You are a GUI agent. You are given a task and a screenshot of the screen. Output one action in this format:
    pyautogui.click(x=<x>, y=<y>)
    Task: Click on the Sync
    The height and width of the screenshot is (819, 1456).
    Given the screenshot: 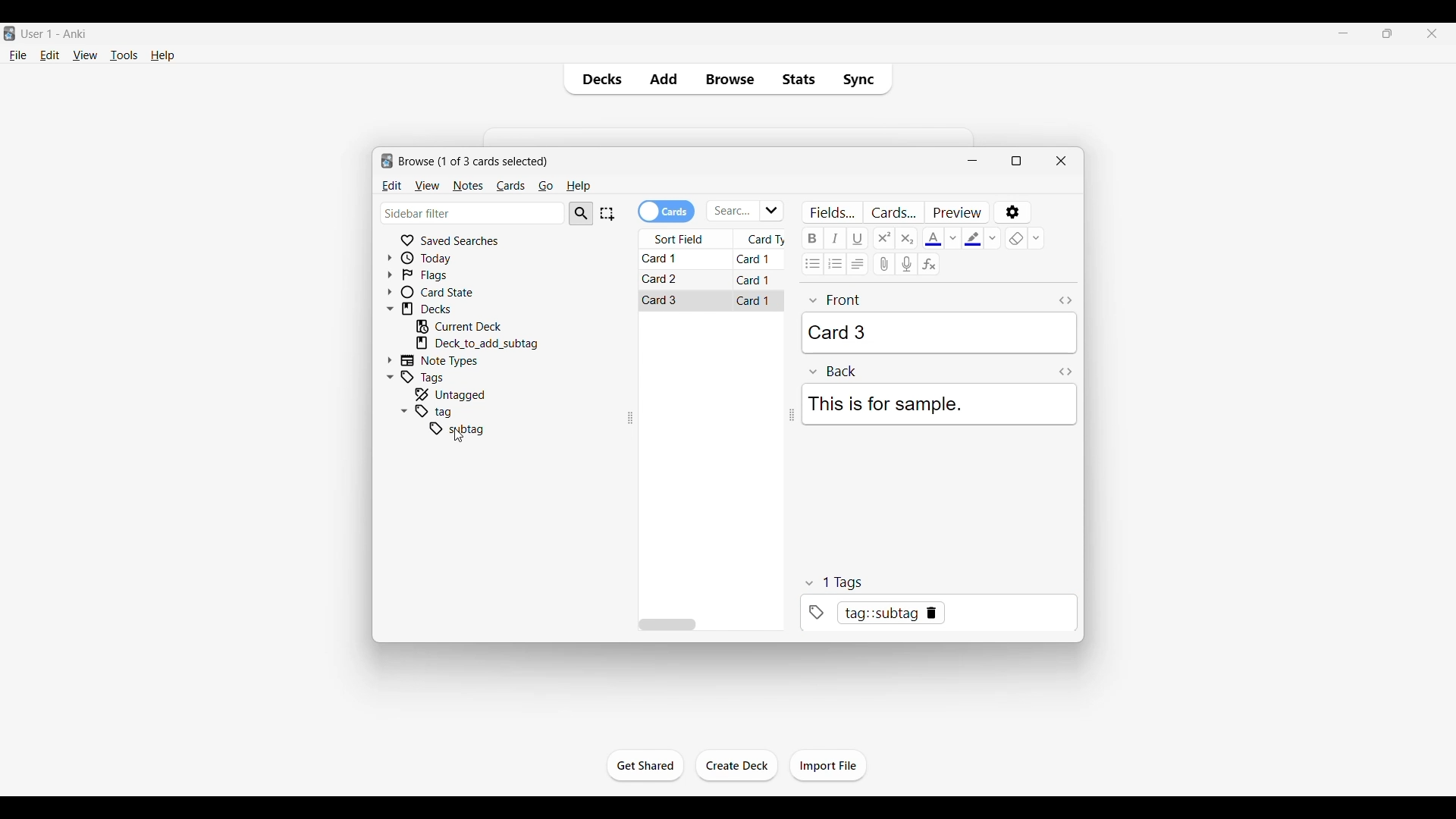 What is the action you would take?
    pyautogui.click(x=862, y=79)
    